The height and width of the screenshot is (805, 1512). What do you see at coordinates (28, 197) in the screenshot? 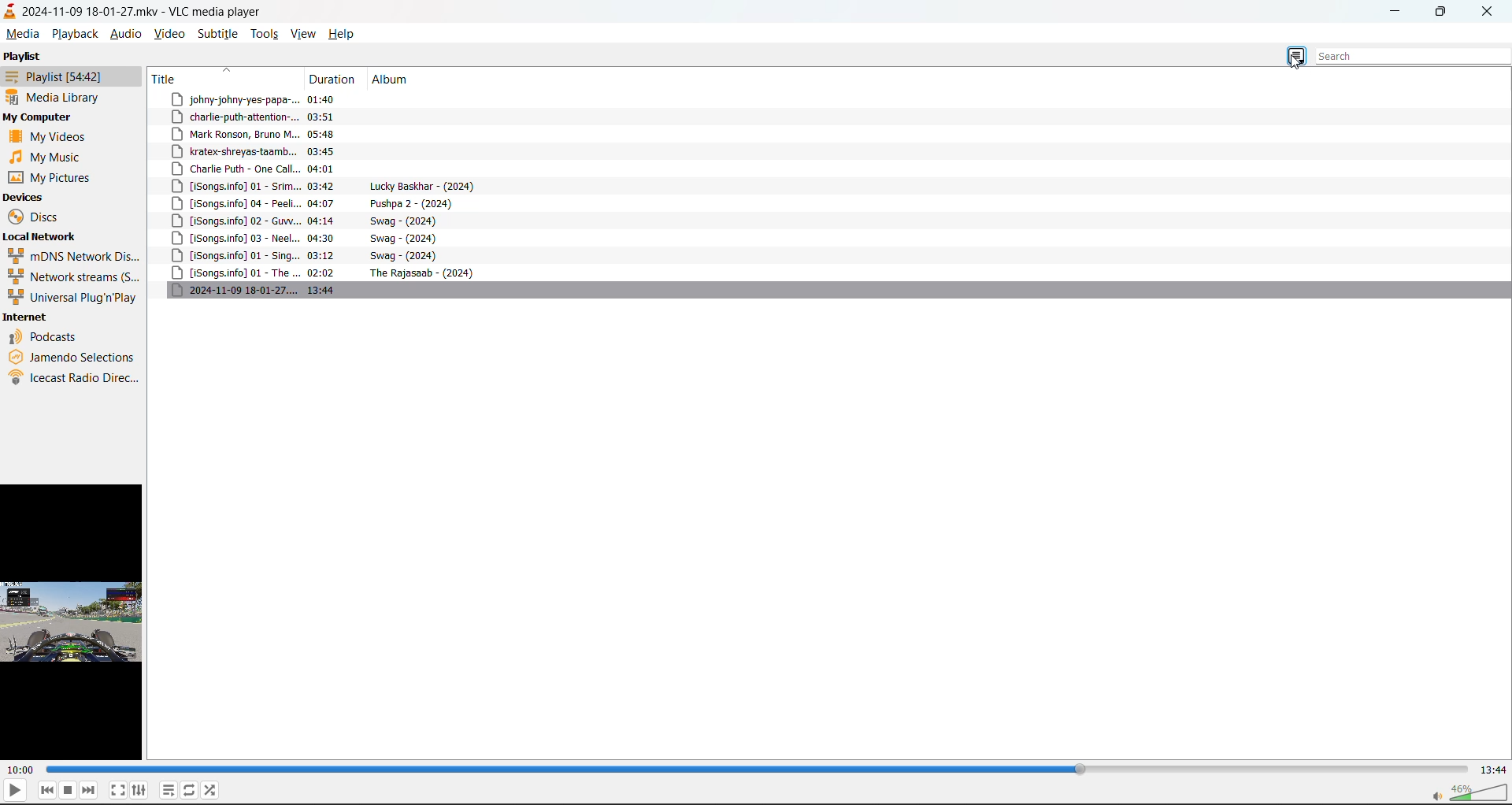
I see `devices` at bounding box center [28, 197].